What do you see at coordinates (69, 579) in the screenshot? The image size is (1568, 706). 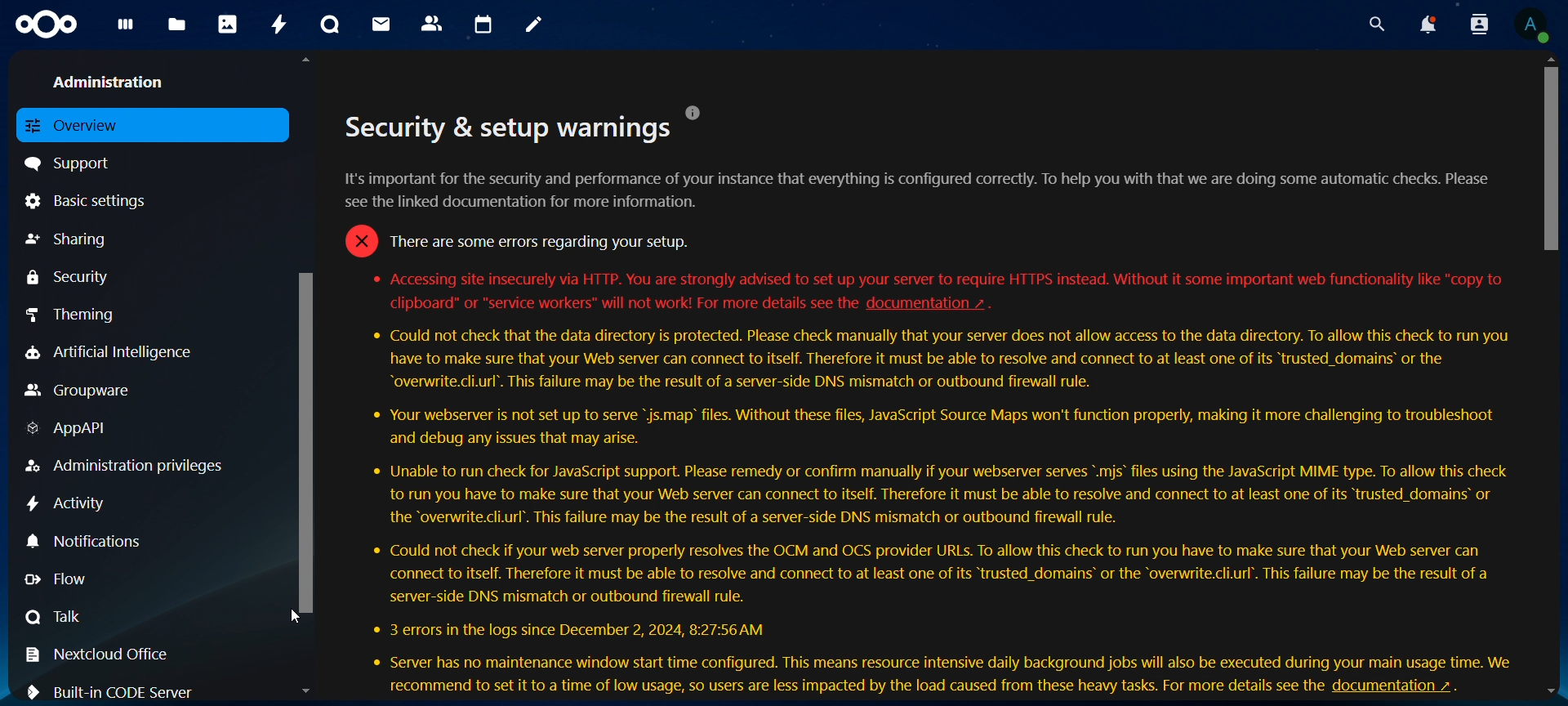 I see `flow` at bounding box center [69, 579].